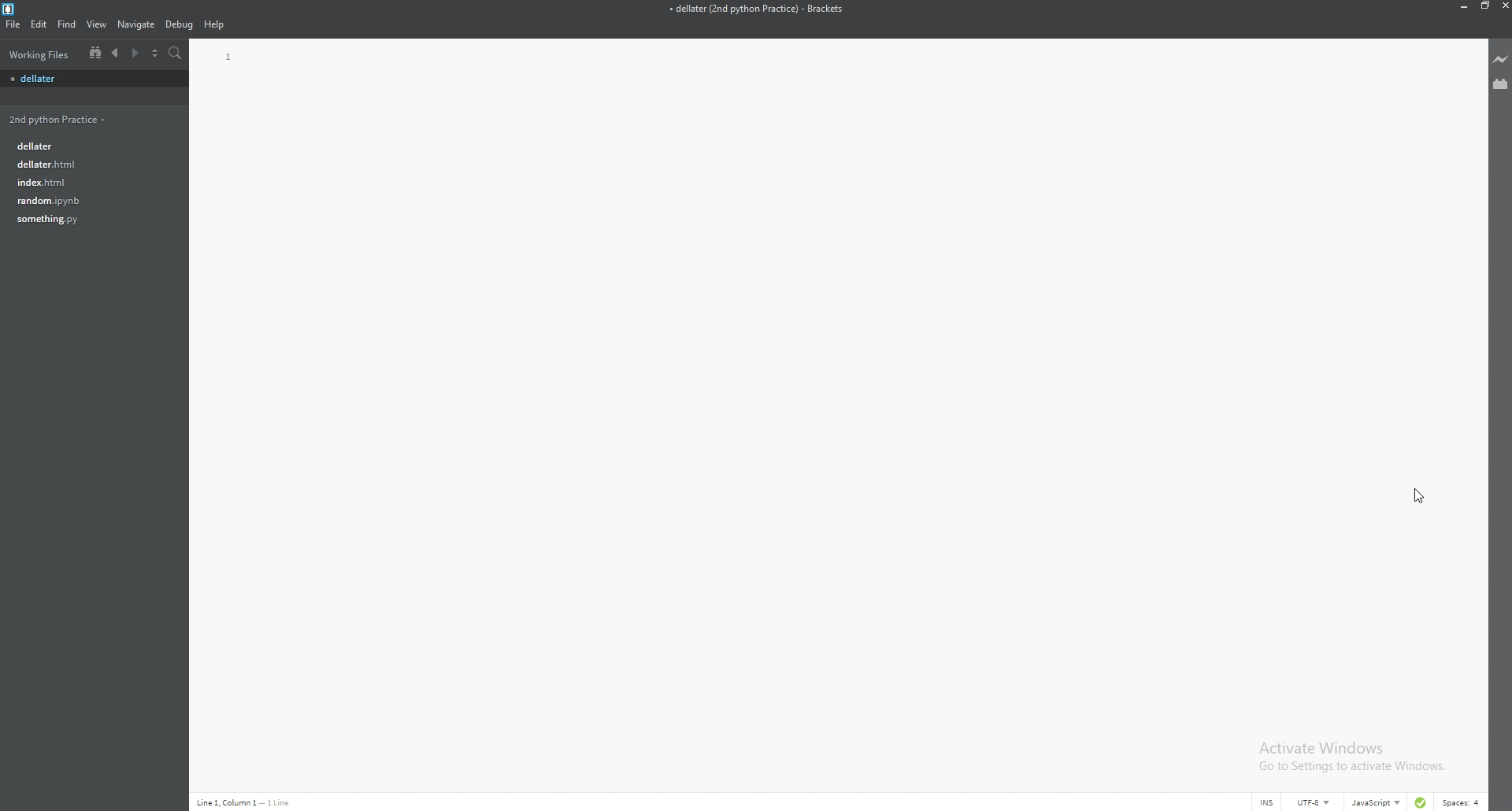 The width and height of the screenshot is (1512, 811). What do you see at coordinates (175, 53) in the screenshot?
I see `search` at bounding box center [175, 53].